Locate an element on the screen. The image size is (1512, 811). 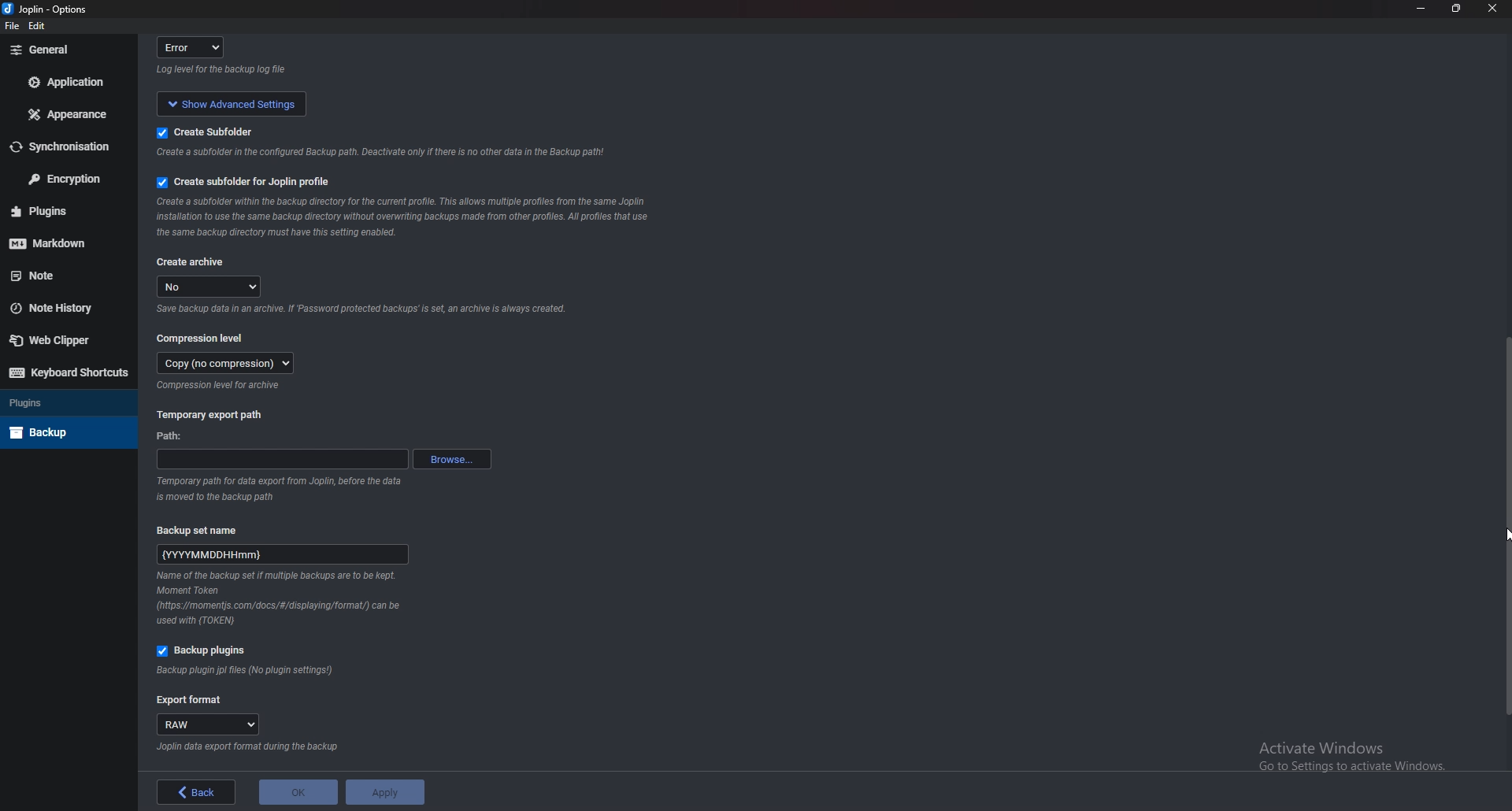
info is located at coordinates (376, 154).